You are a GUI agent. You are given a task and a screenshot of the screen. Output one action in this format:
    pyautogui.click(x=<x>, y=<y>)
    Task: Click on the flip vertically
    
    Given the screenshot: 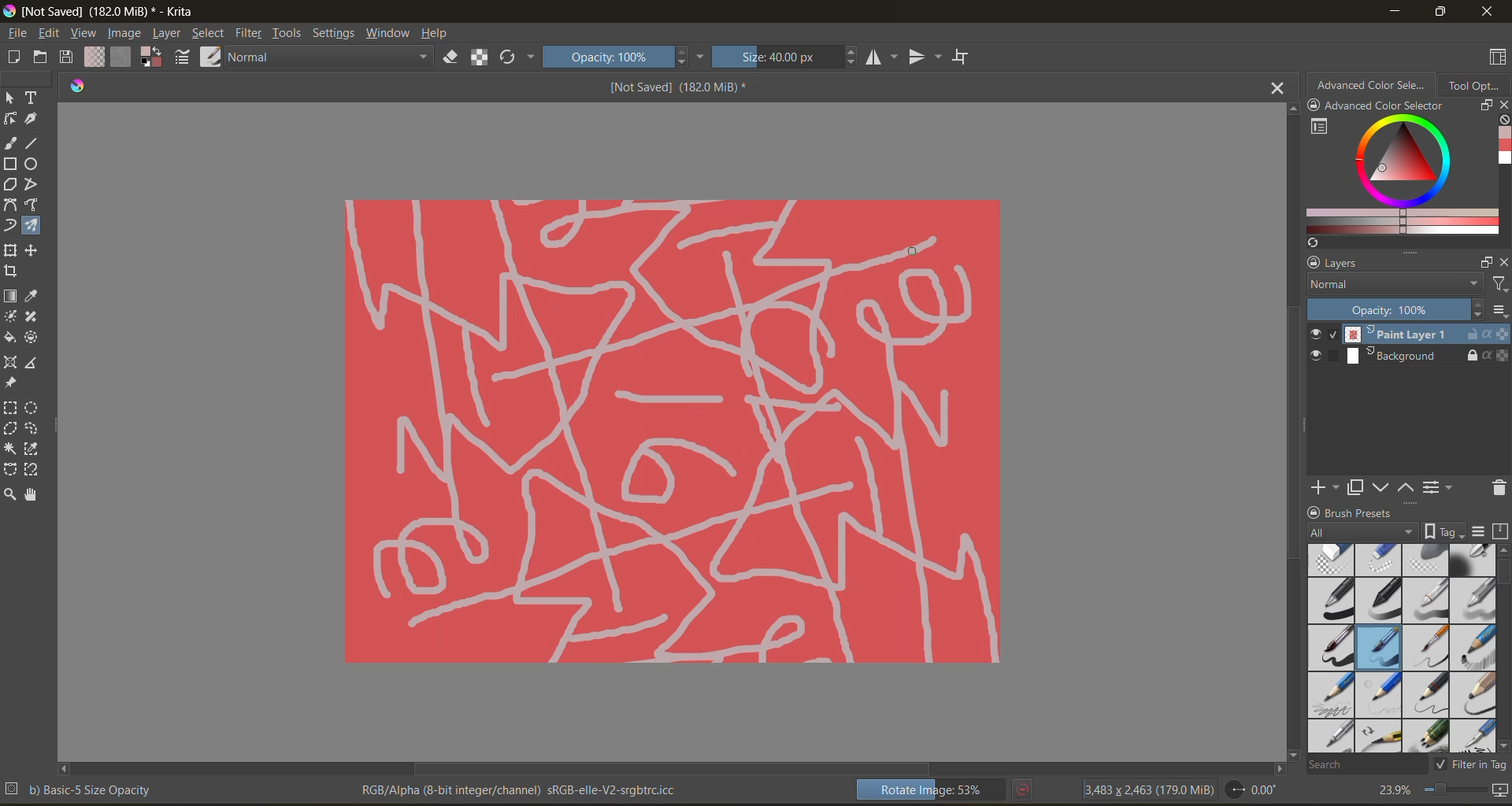 What is the action you would take?
    pyautogui.click(x=926, y=57)
    